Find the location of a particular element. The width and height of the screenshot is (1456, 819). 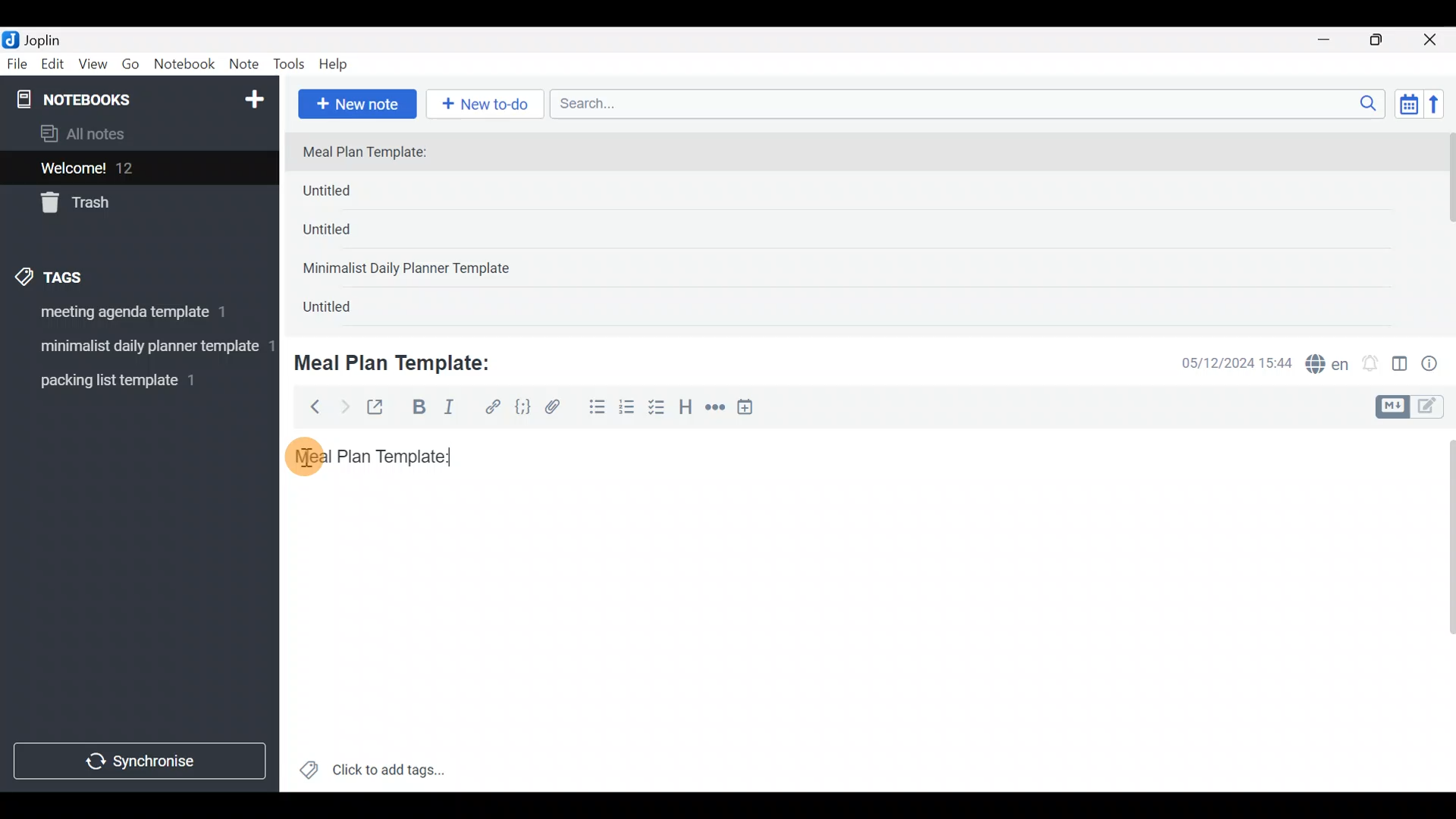

Meal plan template is located at coordinates (367, 454).